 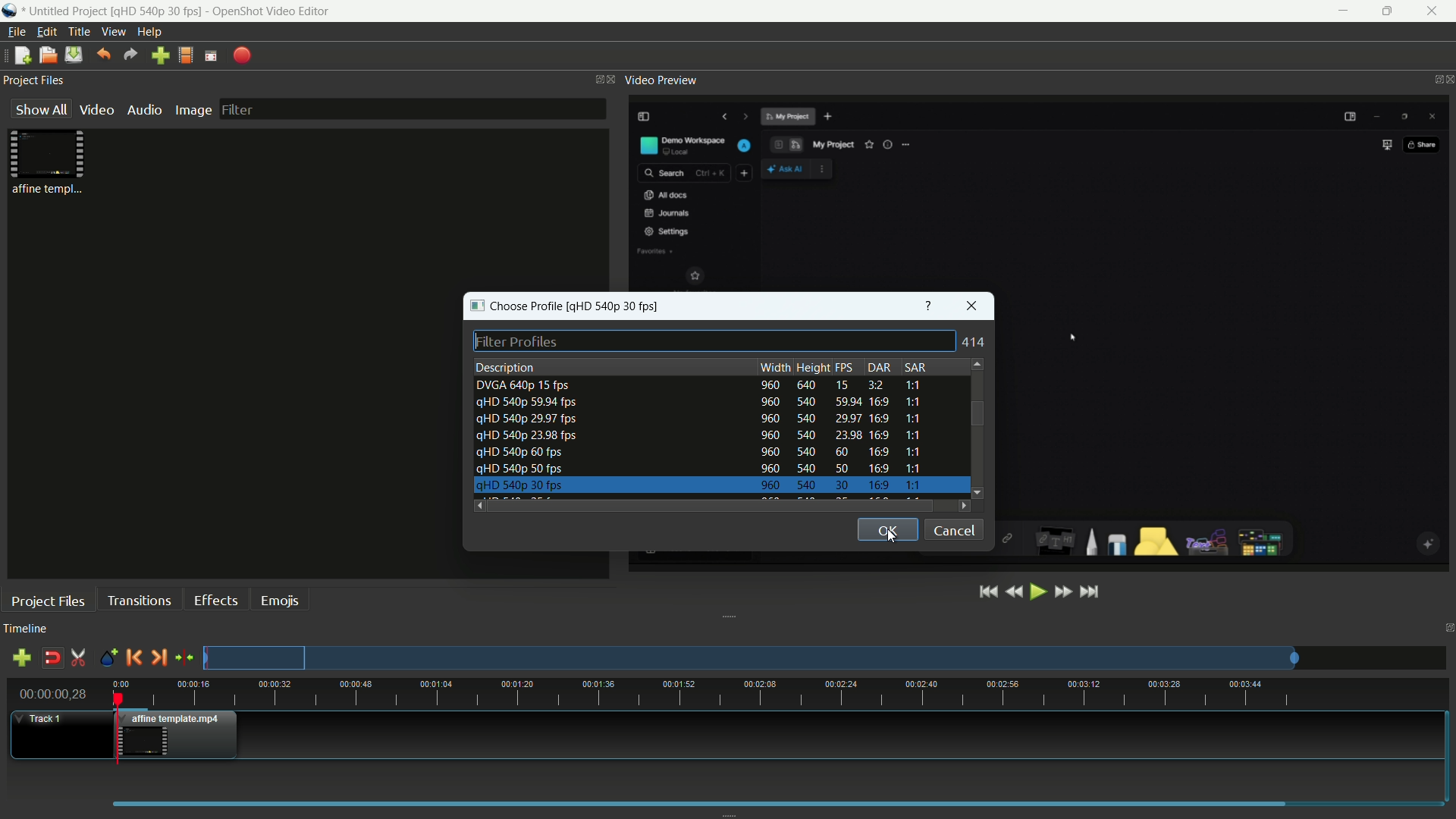 I want to click on next marker, so click(x=158, y=658).